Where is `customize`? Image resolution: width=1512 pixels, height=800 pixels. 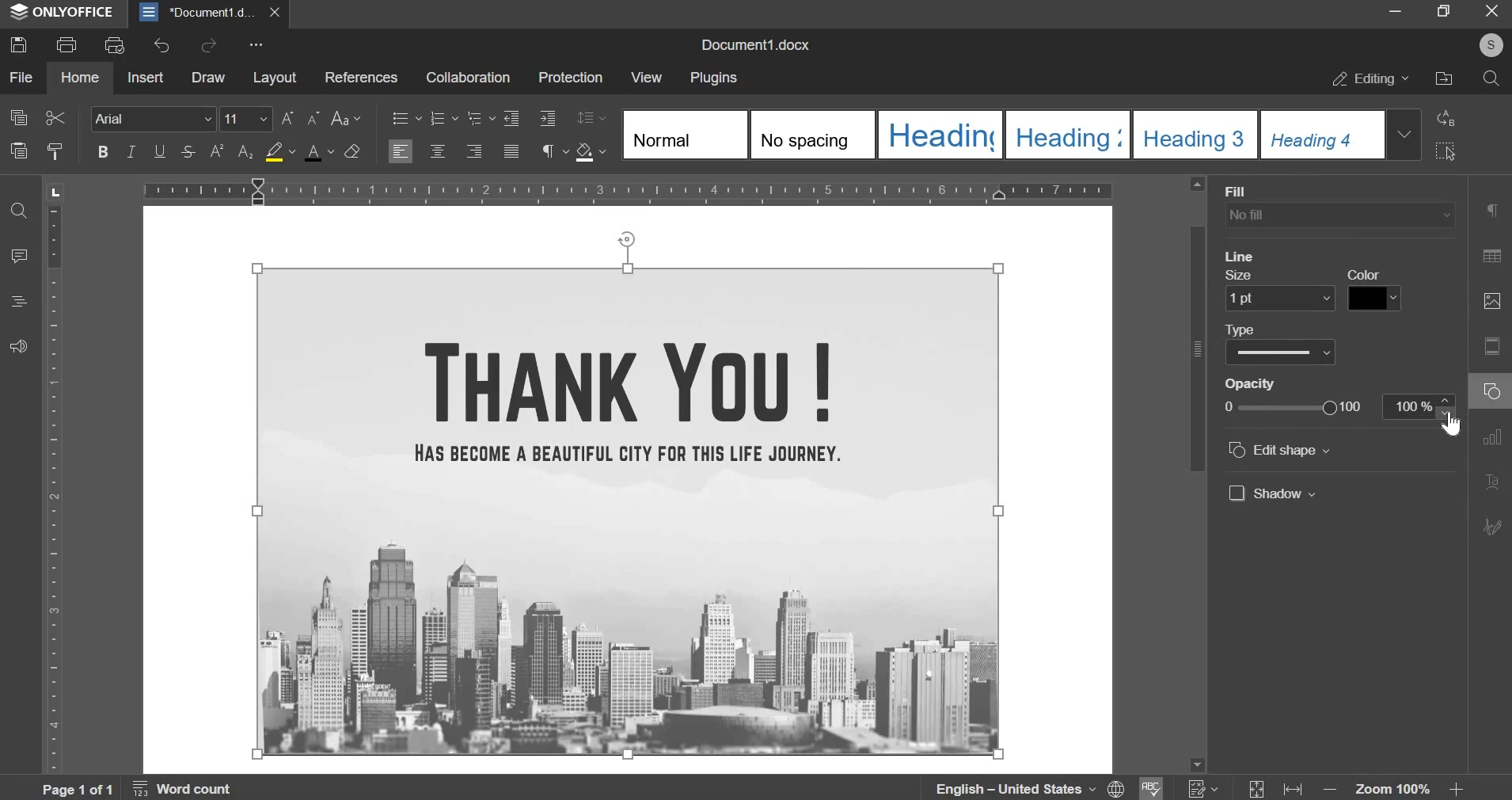
customize is located at coordinates (256, 46).